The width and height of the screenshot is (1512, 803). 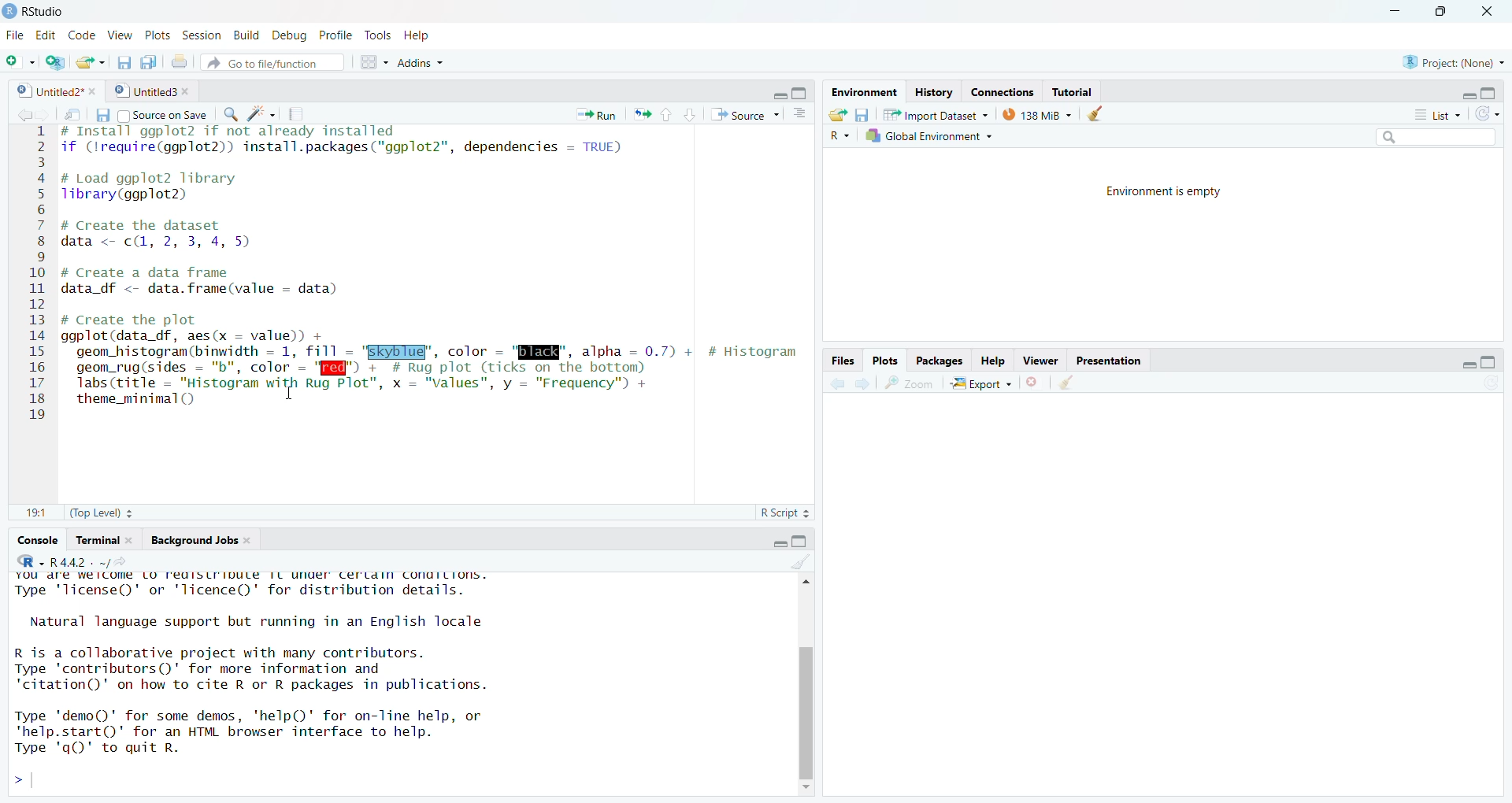 I want to click on Environment is empty, so click(x=1168, y=246).